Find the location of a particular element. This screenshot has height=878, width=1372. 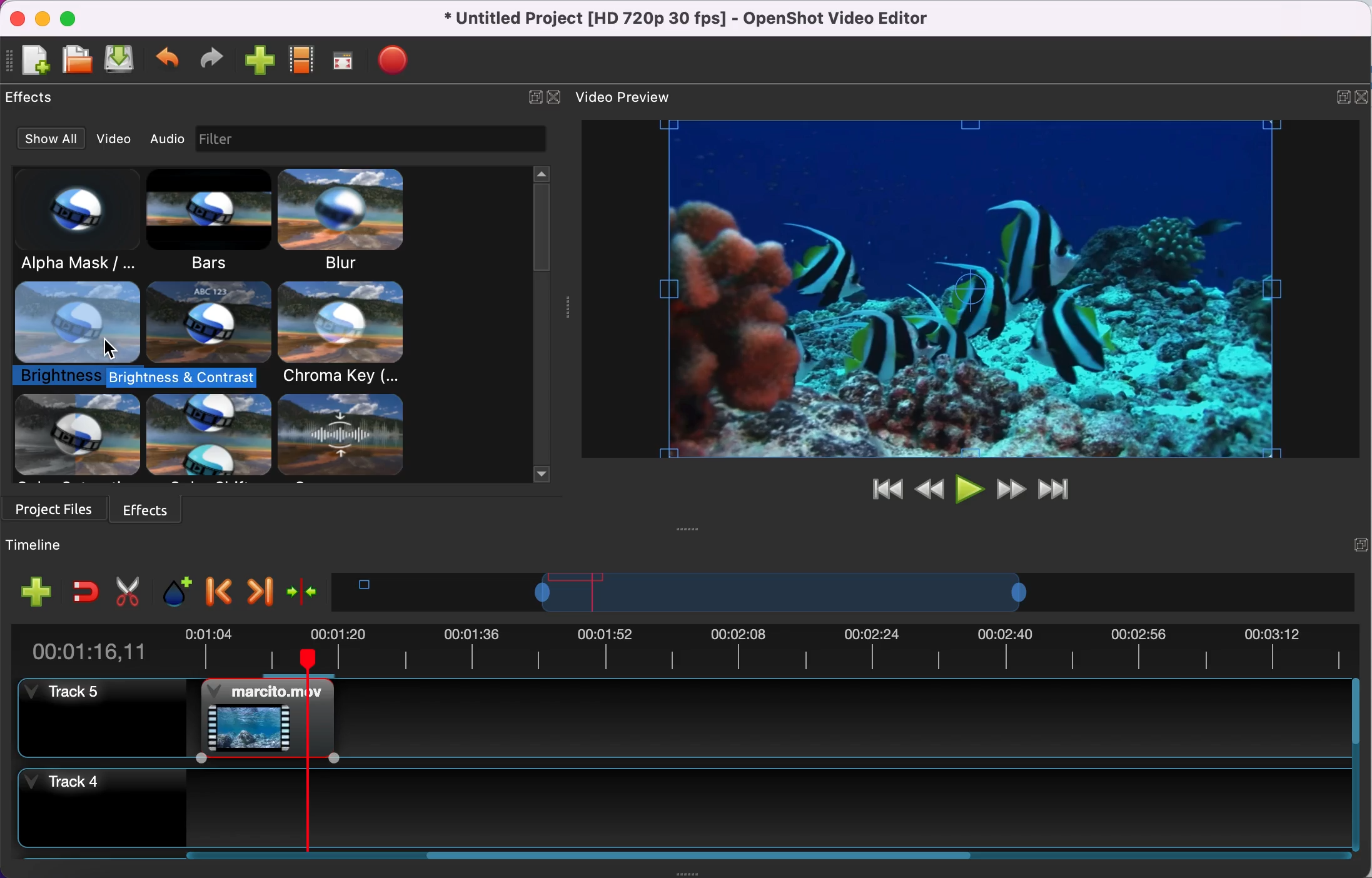

track 4 is located at coordinates (682, 809).